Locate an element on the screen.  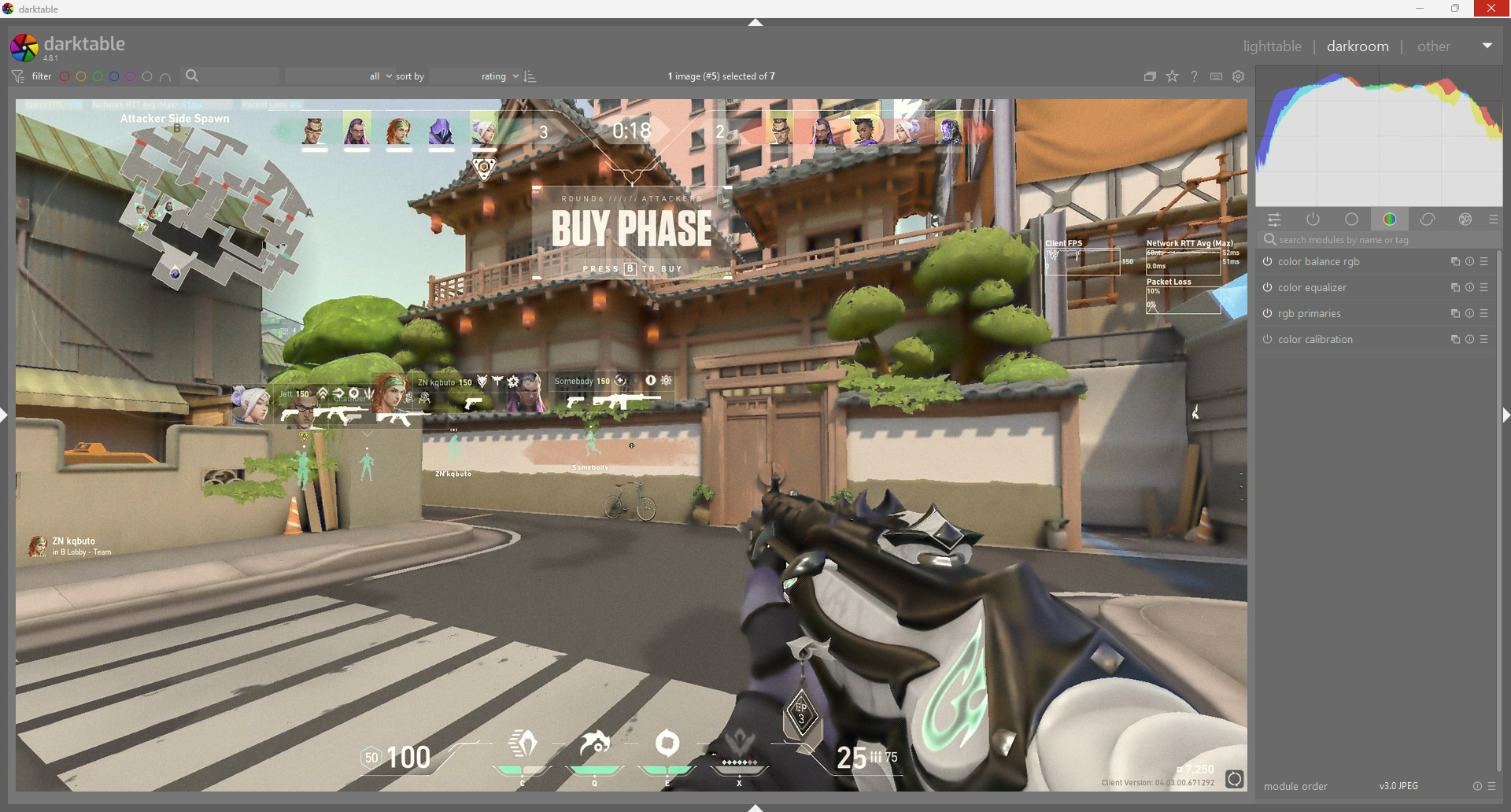
color equalizer is located at coordinates (1310, 287).